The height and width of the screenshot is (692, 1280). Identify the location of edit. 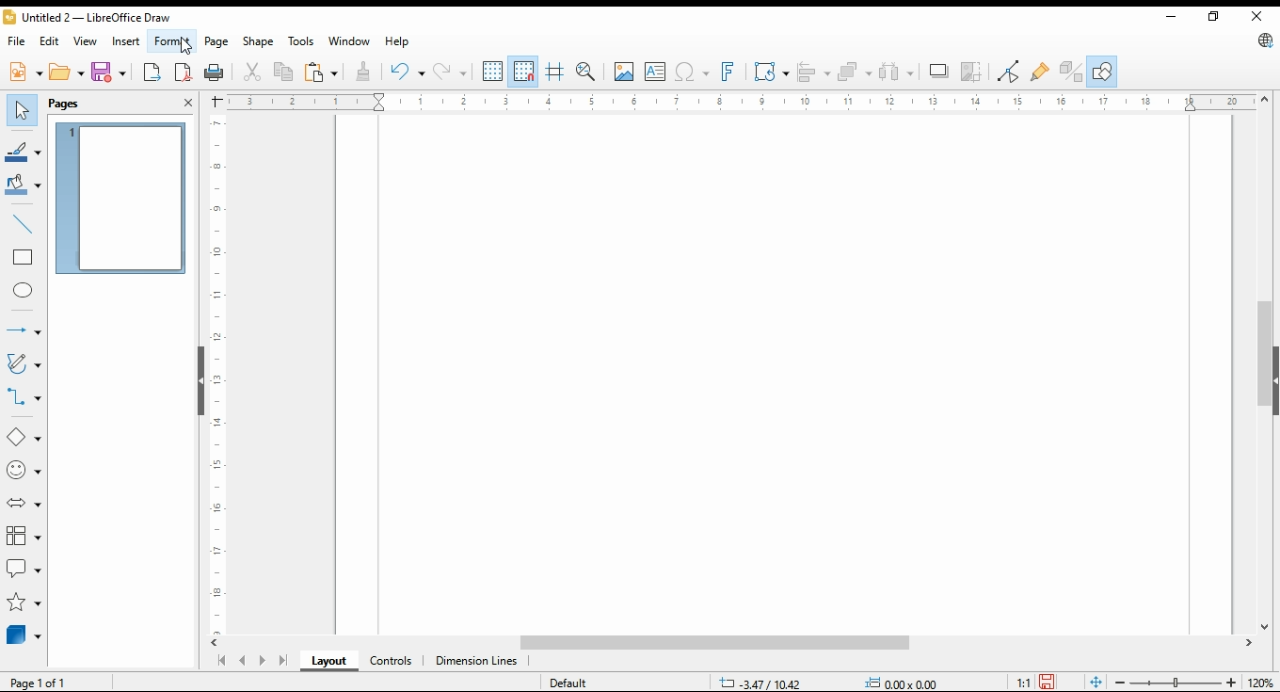
(48, 39).